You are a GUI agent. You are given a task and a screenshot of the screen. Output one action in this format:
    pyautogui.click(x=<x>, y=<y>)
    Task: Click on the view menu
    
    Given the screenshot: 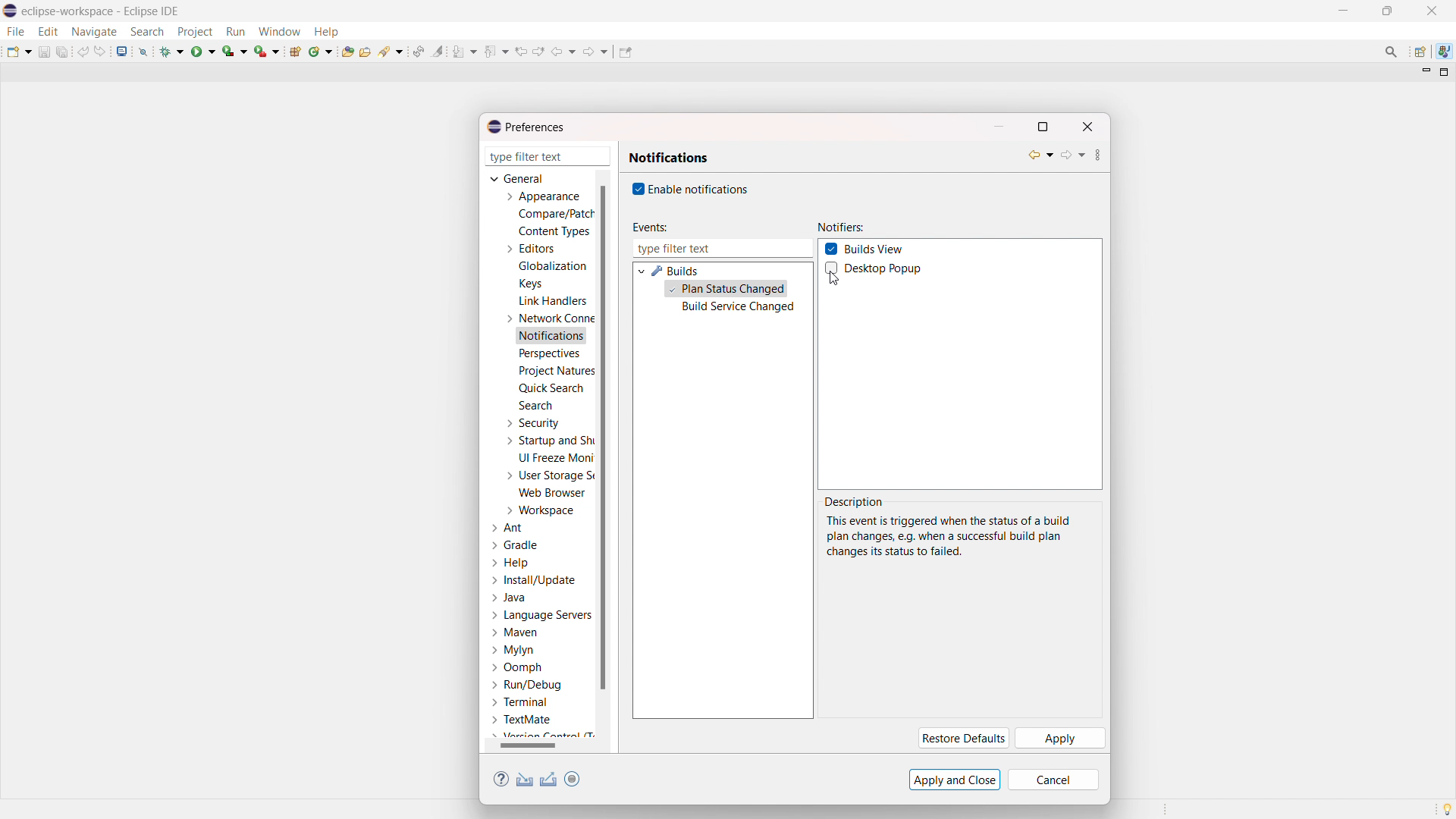 What is the action you would take?
    pyautogui.click(x=1098, y=157)
    